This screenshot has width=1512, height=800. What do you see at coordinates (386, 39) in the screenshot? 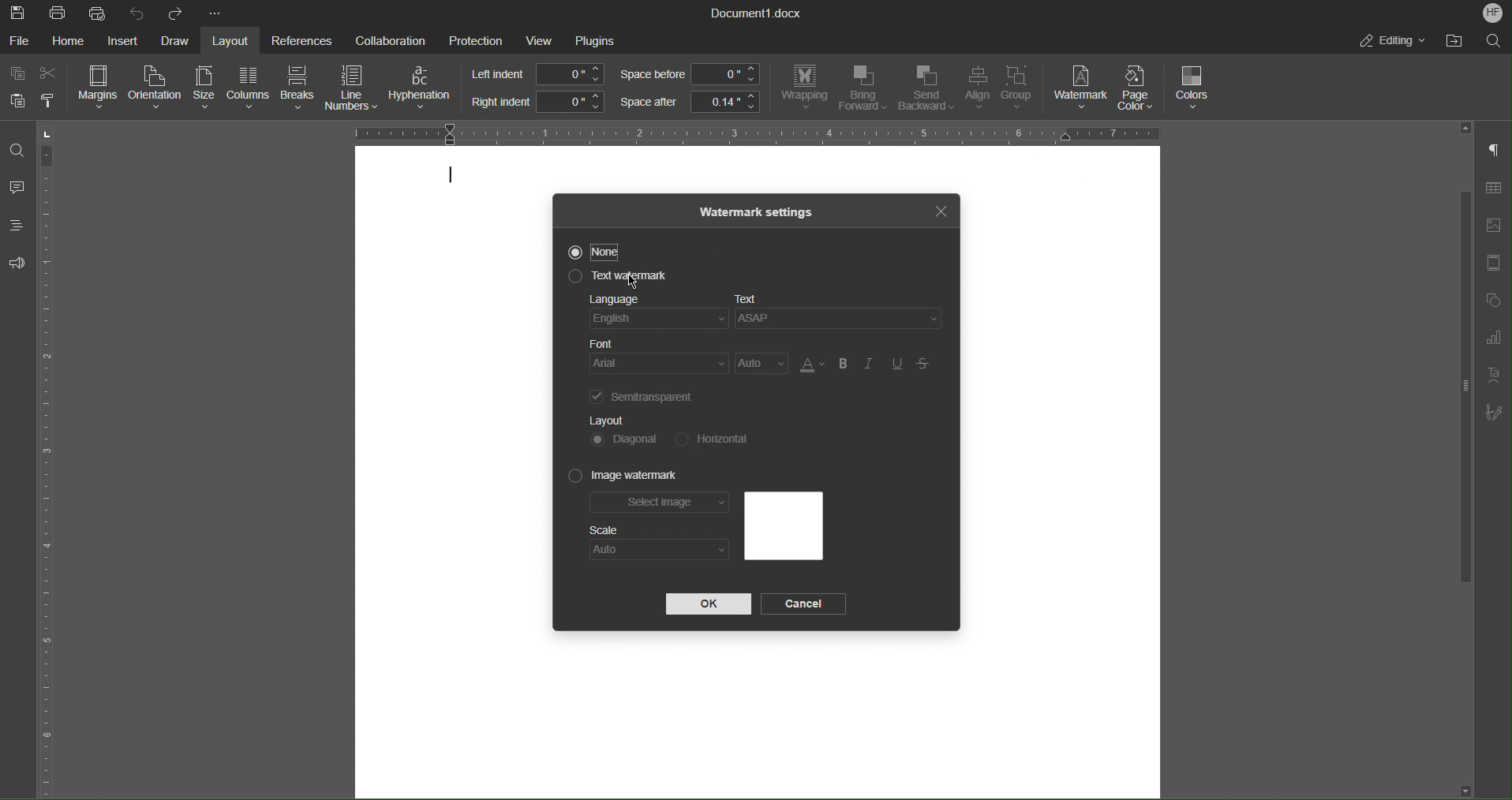
I see `Collaboration` at bounding box center [386, 39].